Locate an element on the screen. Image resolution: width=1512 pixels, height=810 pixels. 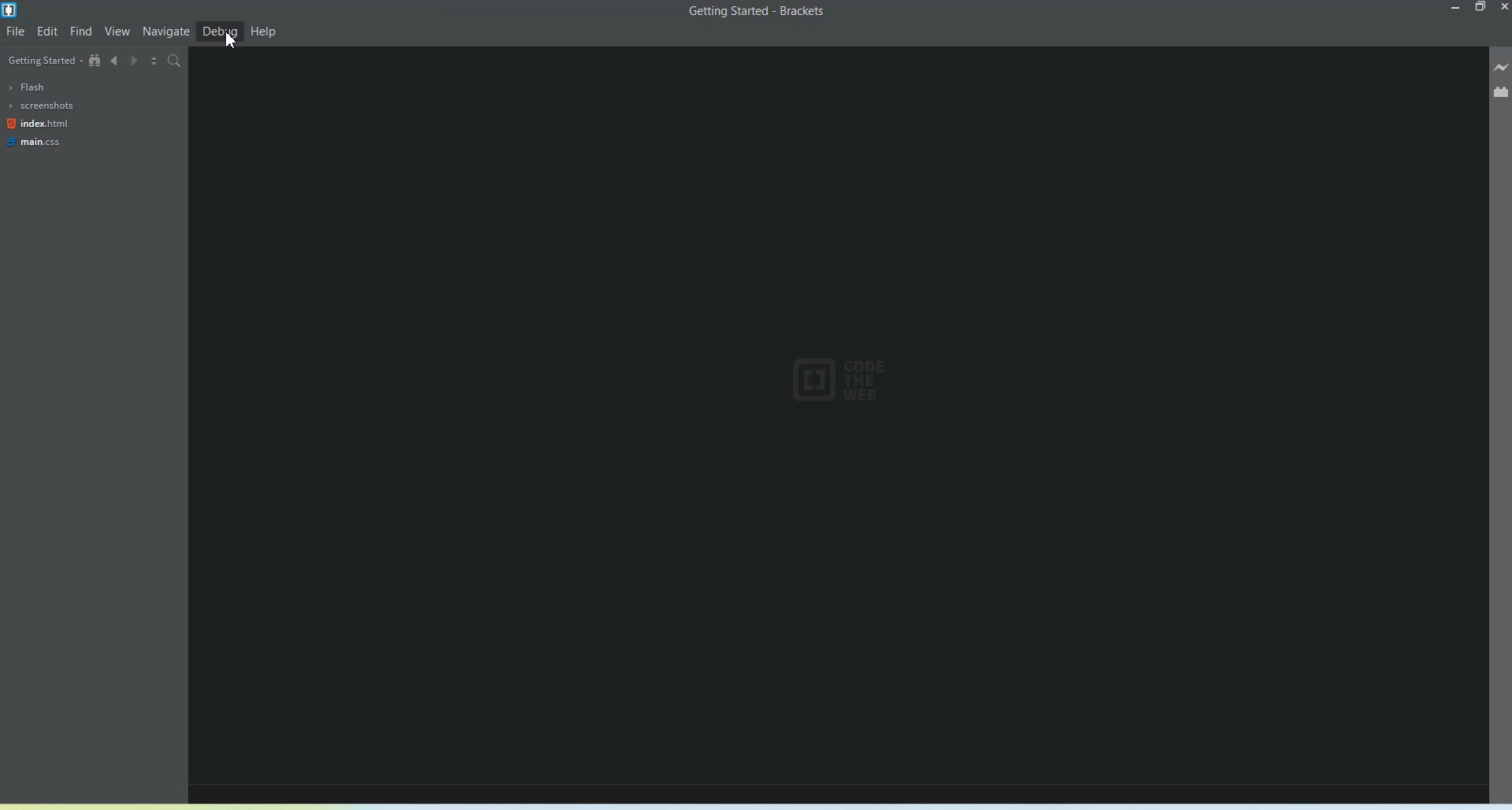
Navigate is located at coordinates (166, 32).